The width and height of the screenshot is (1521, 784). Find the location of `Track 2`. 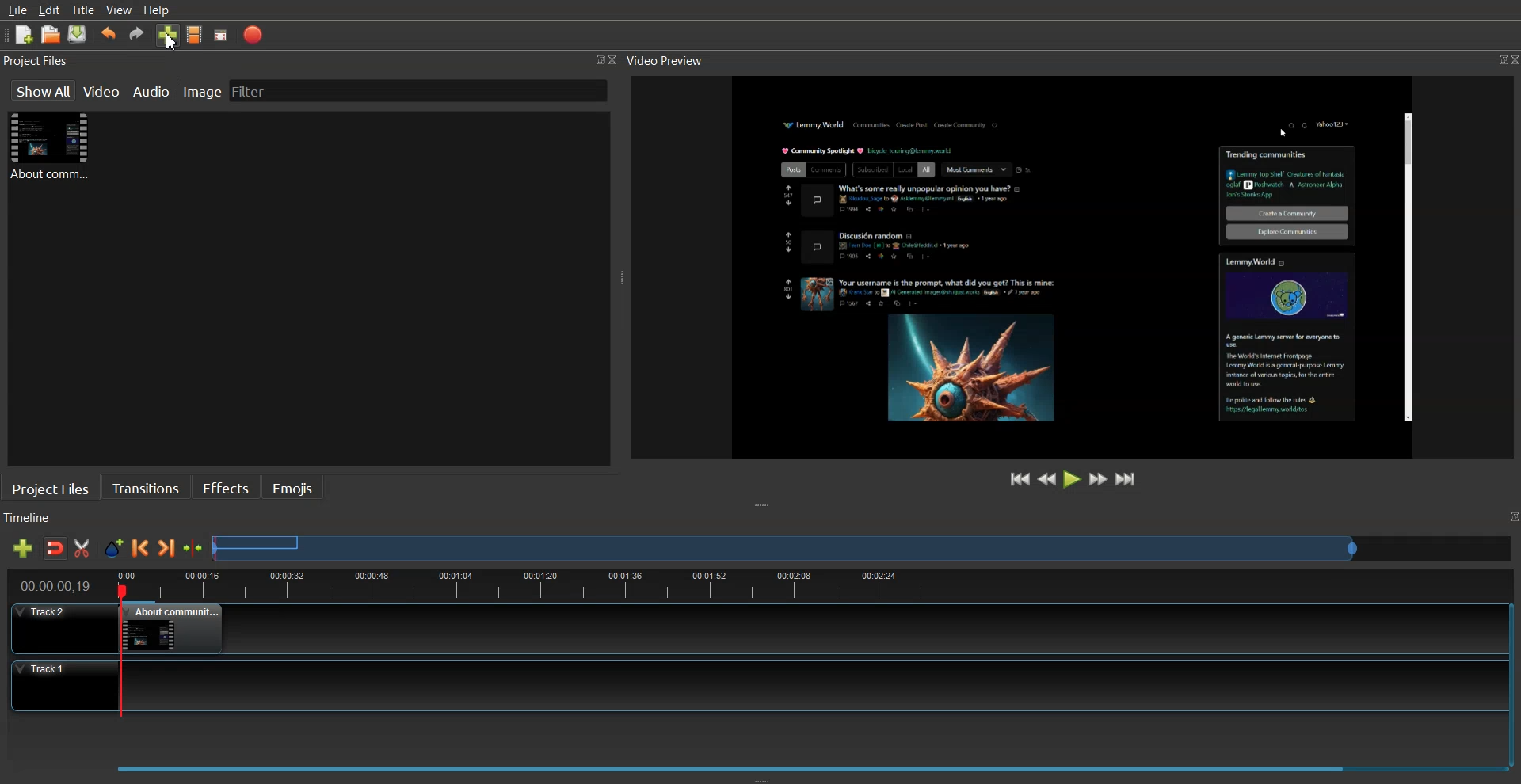

Track 2 is located at coordinates (747, 629).